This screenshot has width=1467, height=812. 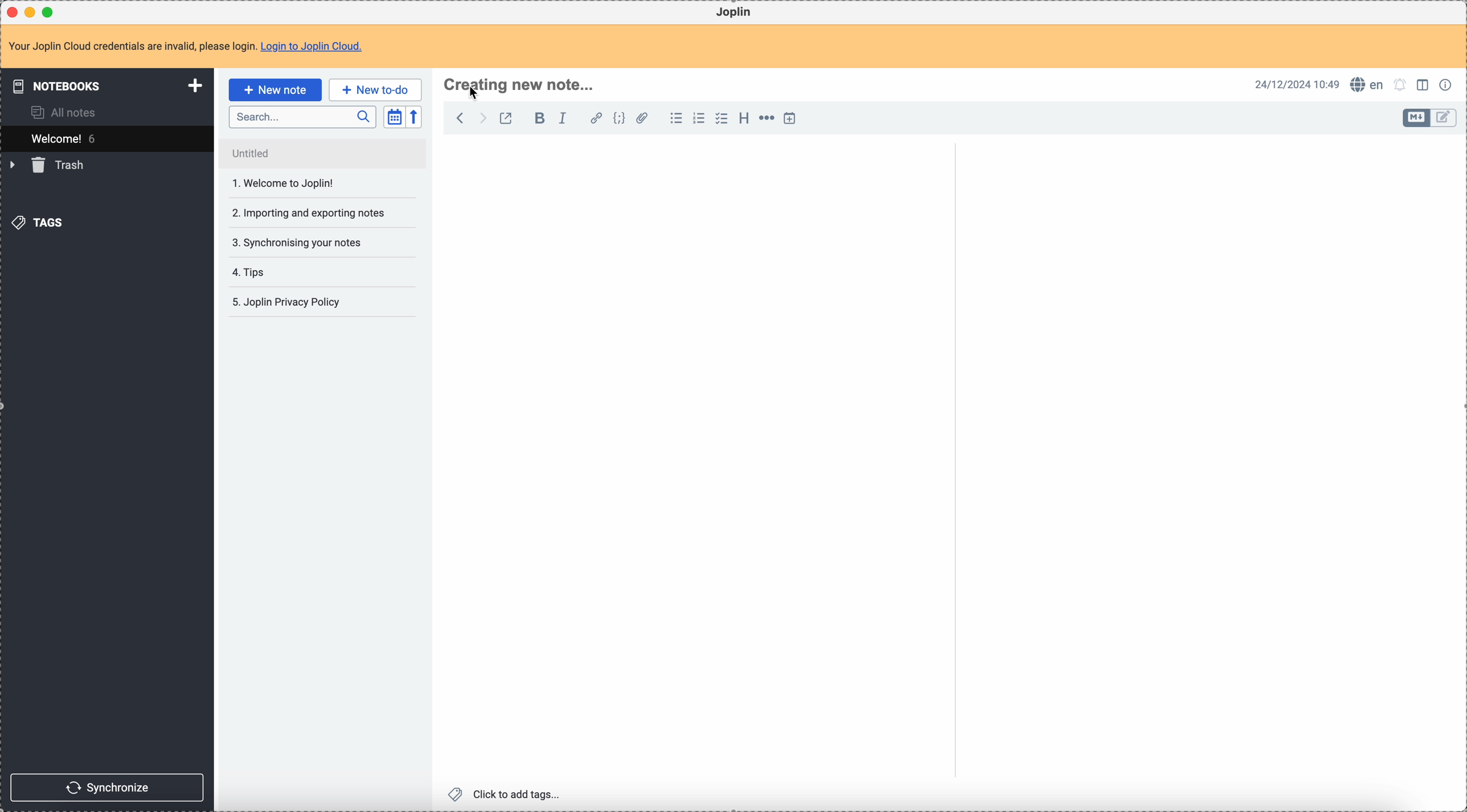 What do you see at coordinates (375, 89) in the screenshot?
I see `new to-do` at bounding box center [375, 89].